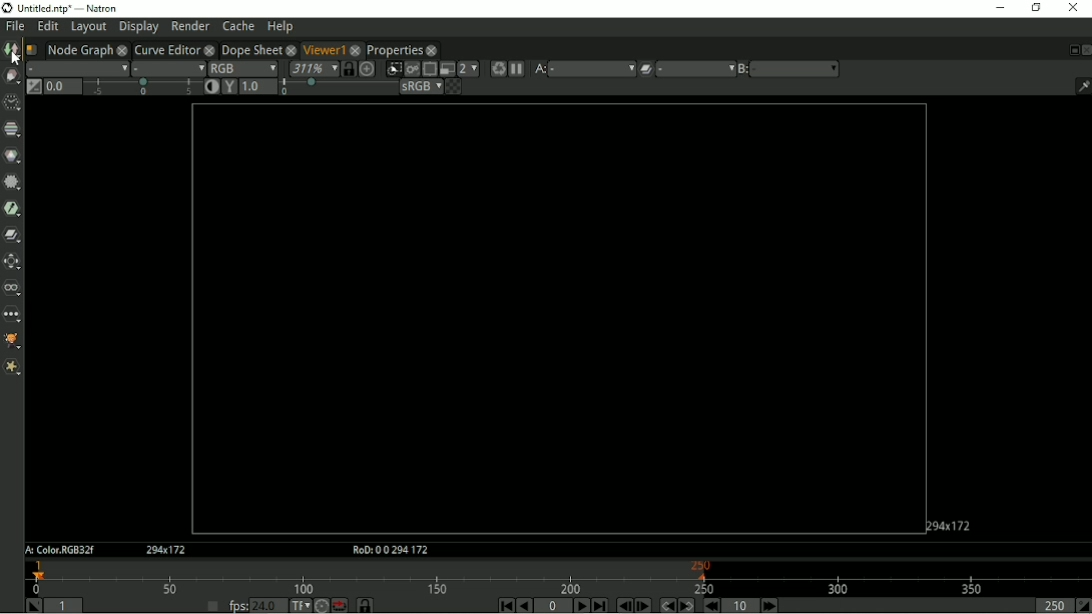 The image size is (1092, 614). What do you see at coordinates (950, 524) in the screenshot?
I see `Aspect` at bounding box center [950, 524].